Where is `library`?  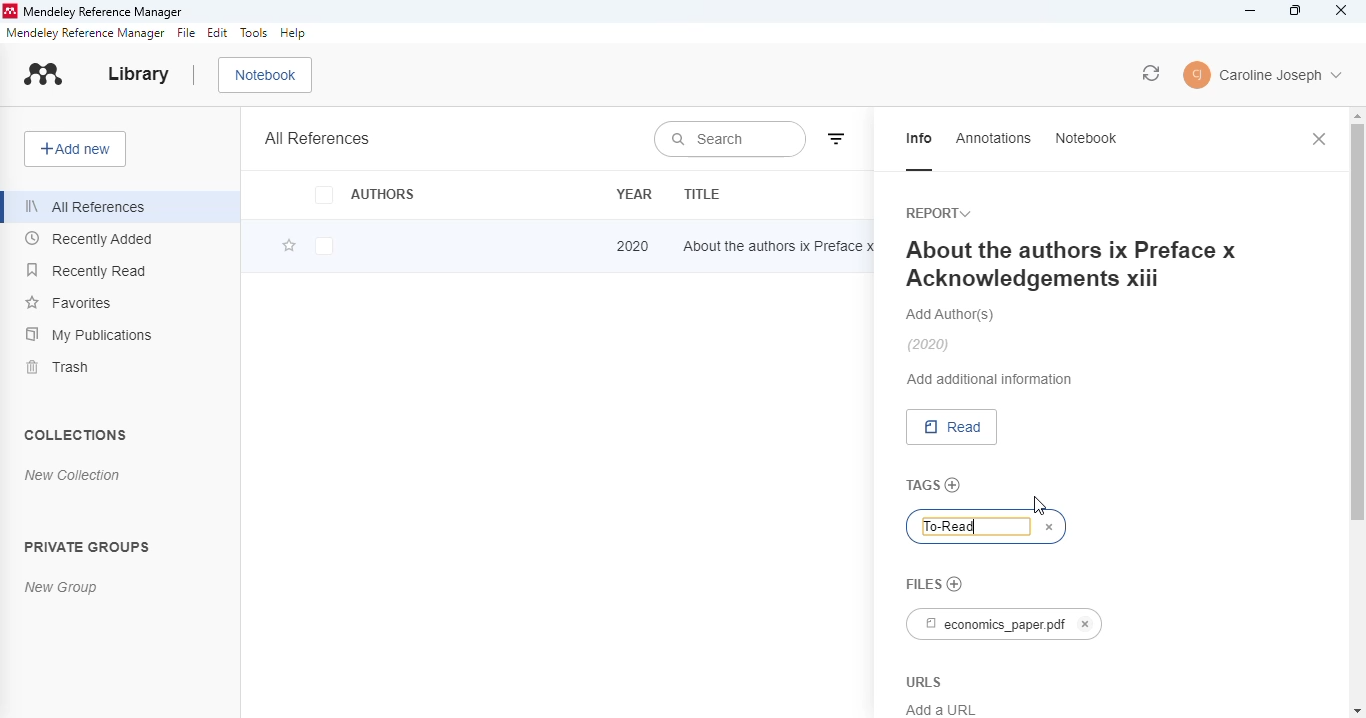 library is located at coordinates (138, 74).